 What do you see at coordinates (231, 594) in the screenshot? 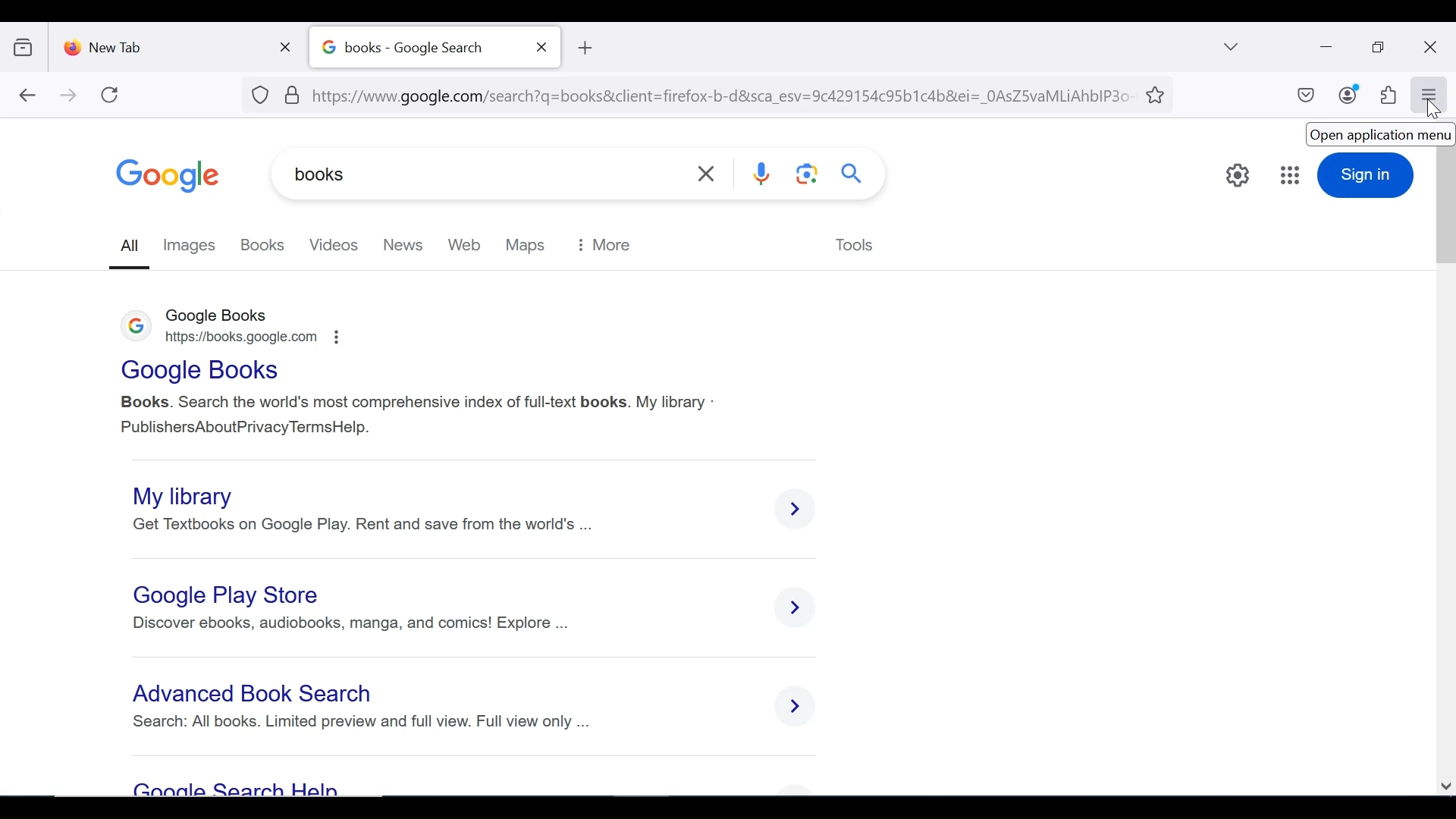
I see `Google Play Store` at bounding box center [231, 594].